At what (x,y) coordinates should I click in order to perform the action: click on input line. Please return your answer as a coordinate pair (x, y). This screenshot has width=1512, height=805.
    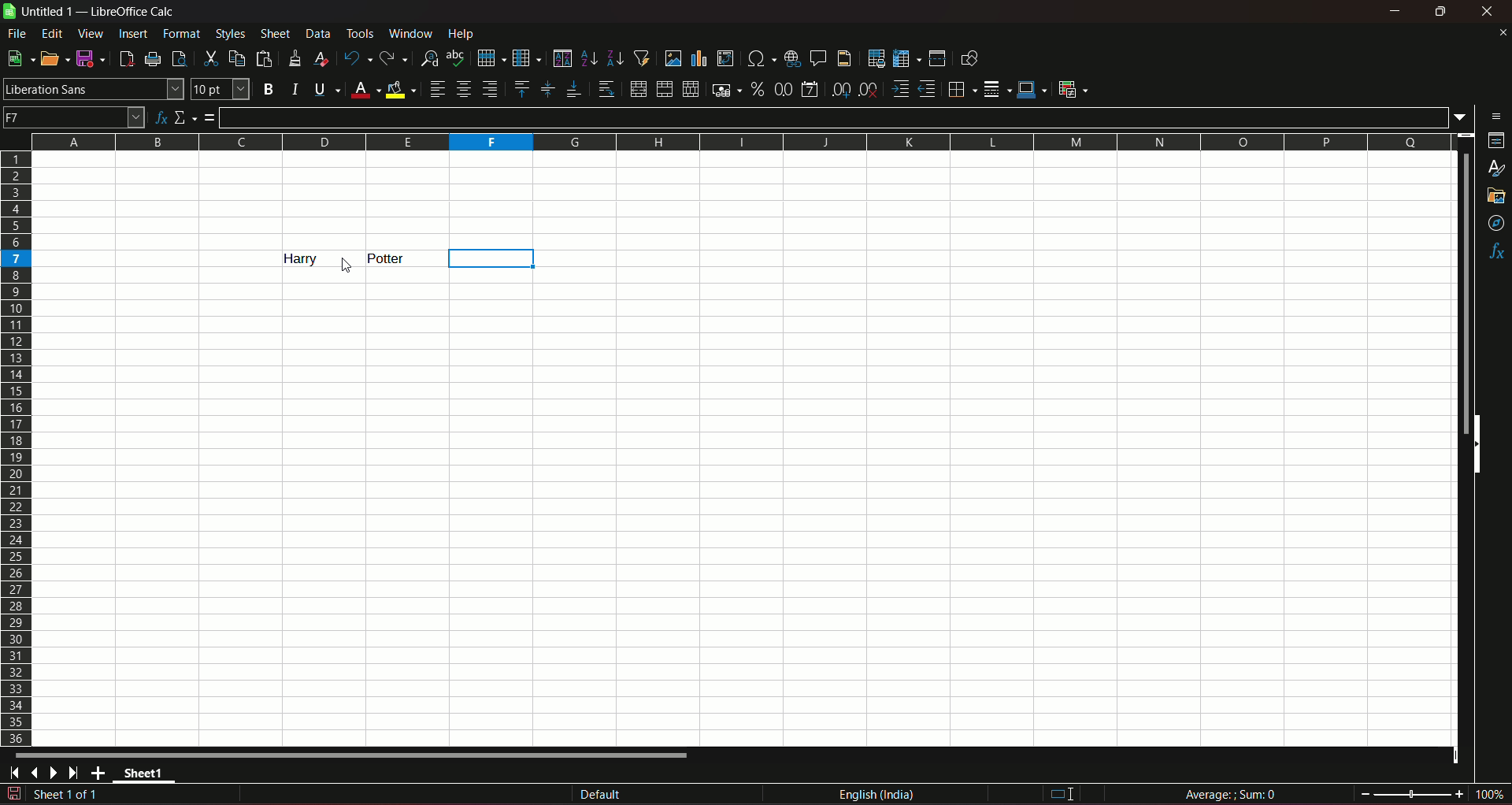
    Looking at the image, I should click on (836, 117).